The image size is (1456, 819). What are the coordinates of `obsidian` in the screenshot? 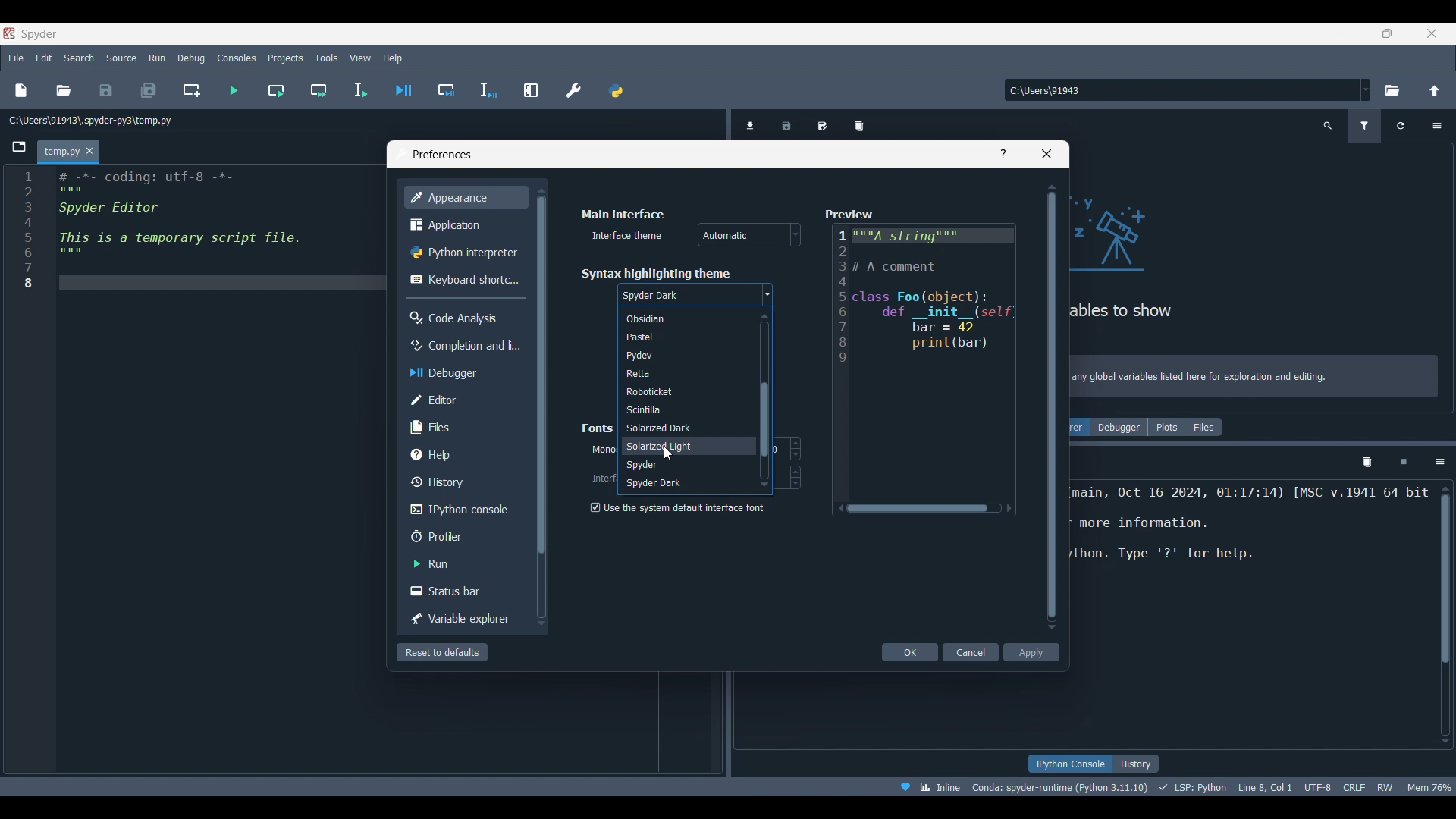 It's located at (671, 319).